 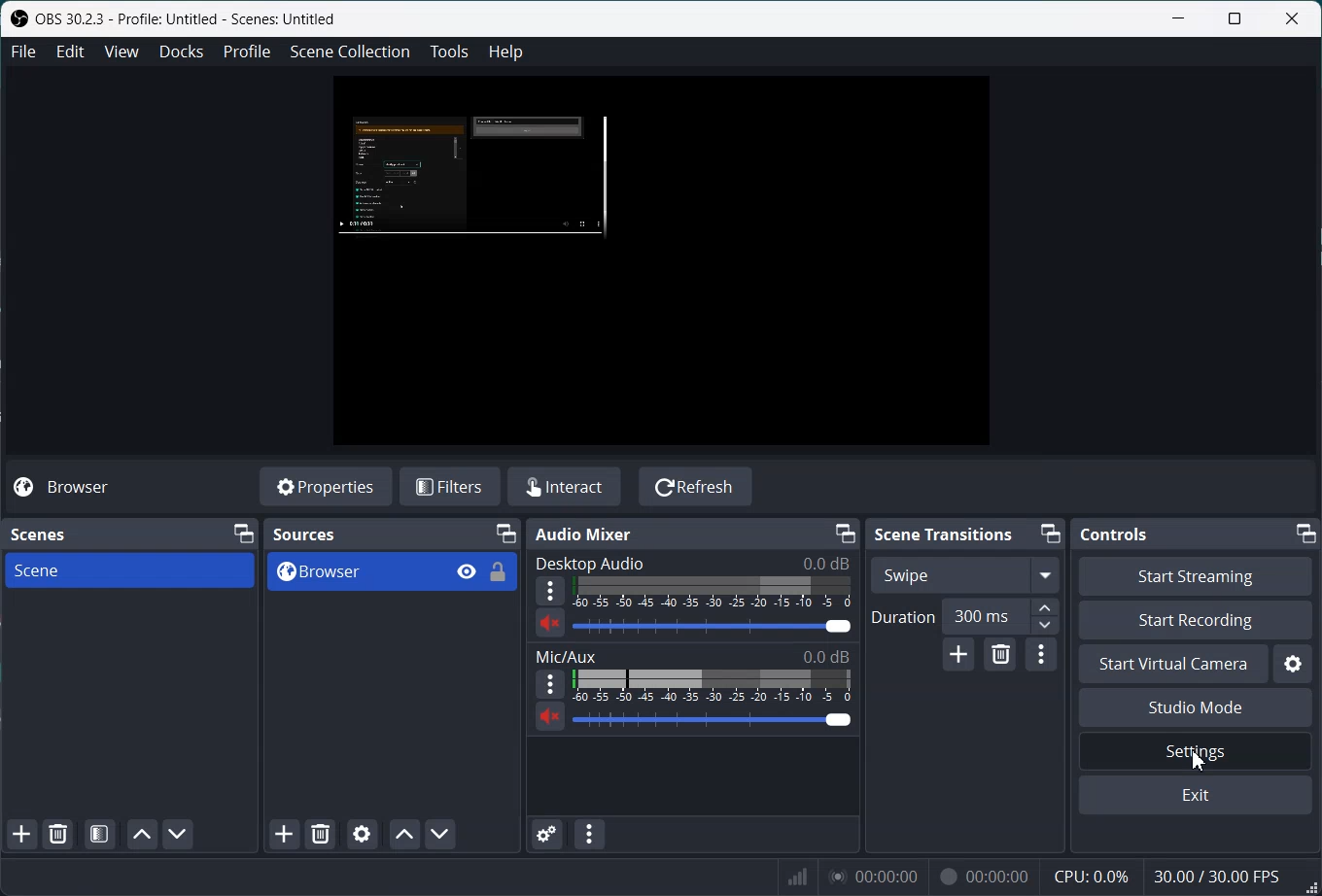 I want to click on Volume Adjuster, so click(x=712, y=719).